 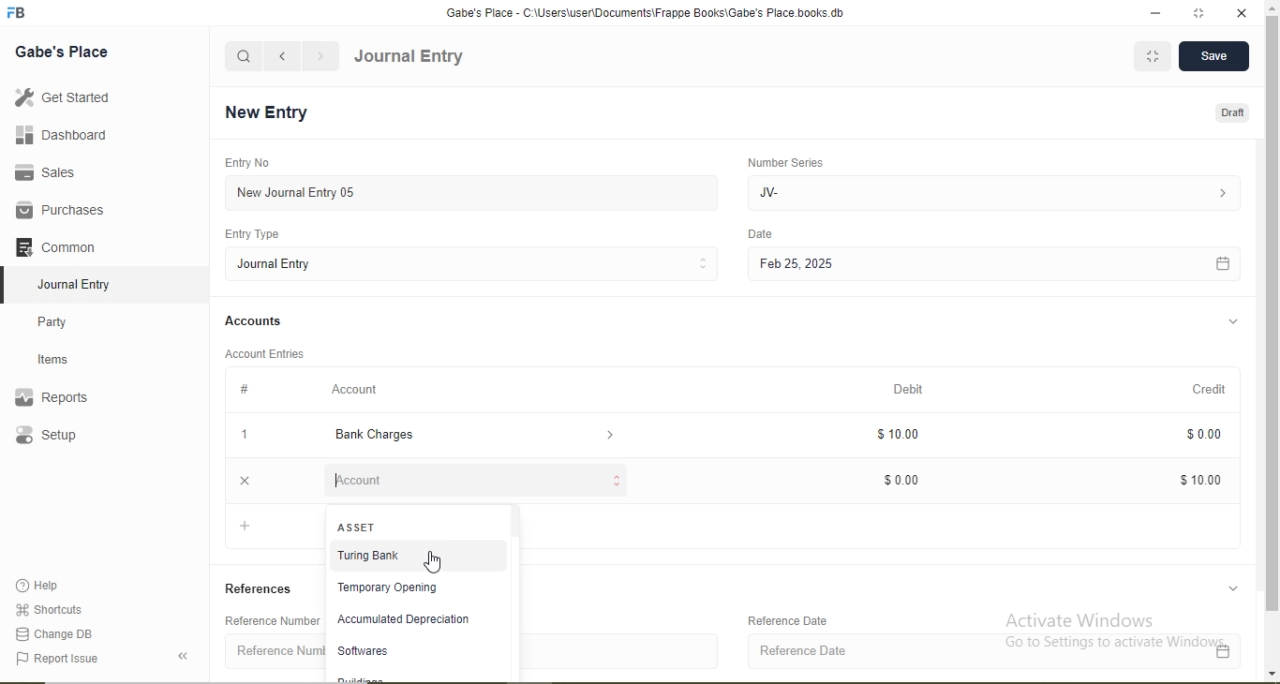 What do you see at coordinates (1150, 59) in the screenshot?
I see `MINIMIZE WINDOW` at bounding box center [1150, 59].